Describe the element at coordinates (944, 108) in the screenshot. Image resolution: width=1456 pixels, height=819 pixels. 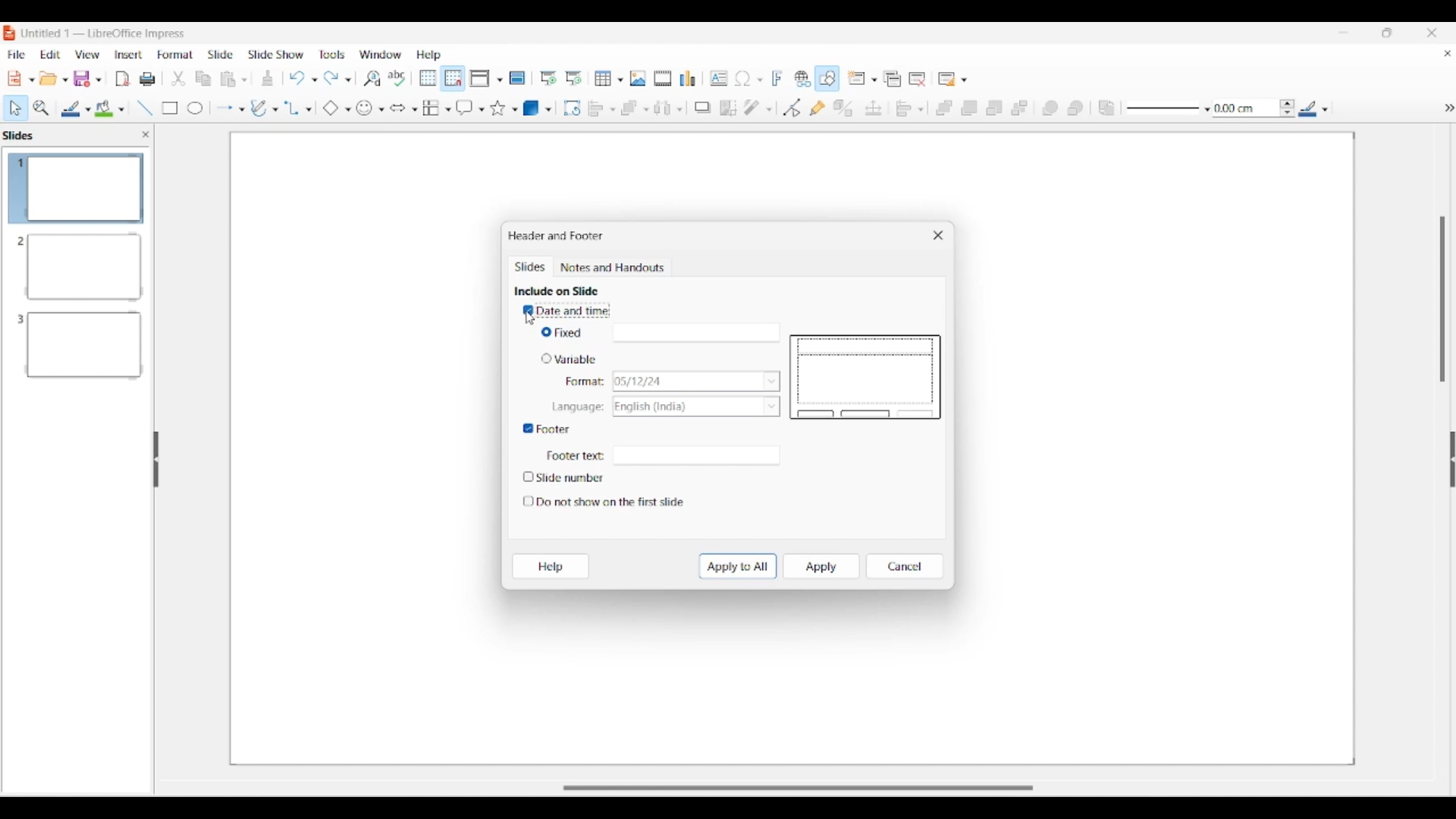
I see `Bring to front` at that location.